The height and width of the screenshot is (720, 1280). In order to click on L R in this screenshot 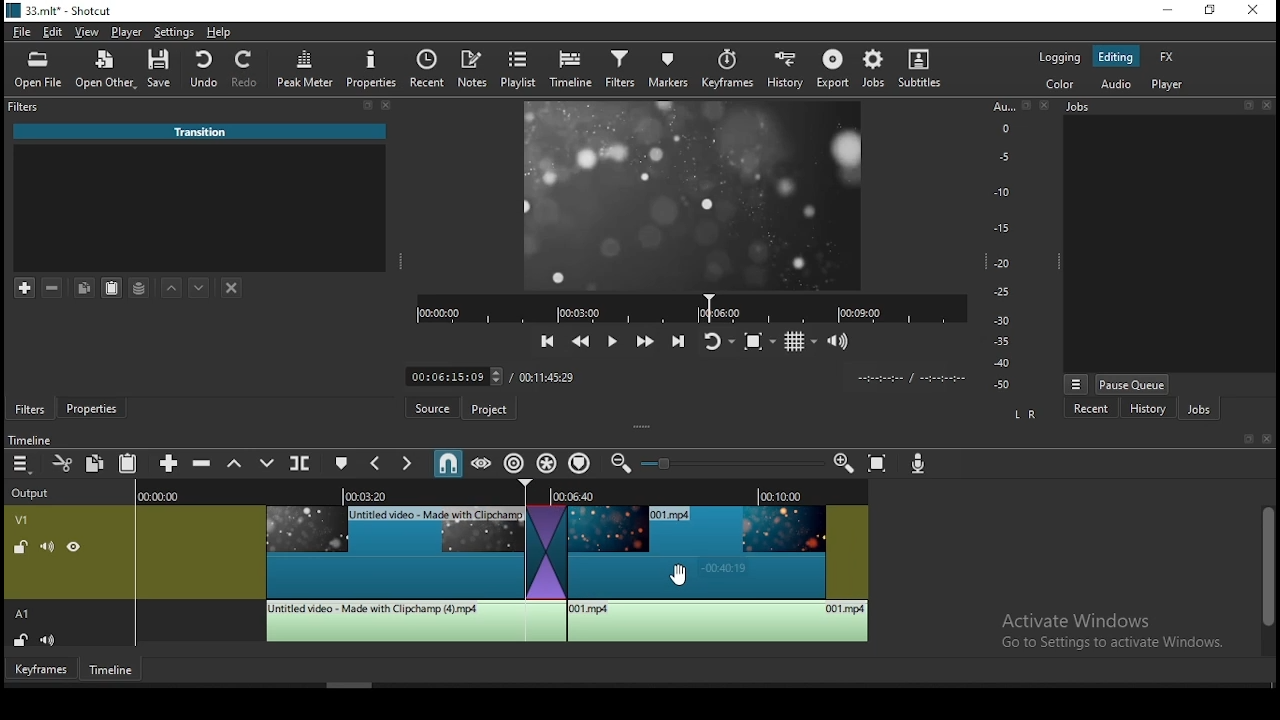, I will do `click(1021, 414)`.